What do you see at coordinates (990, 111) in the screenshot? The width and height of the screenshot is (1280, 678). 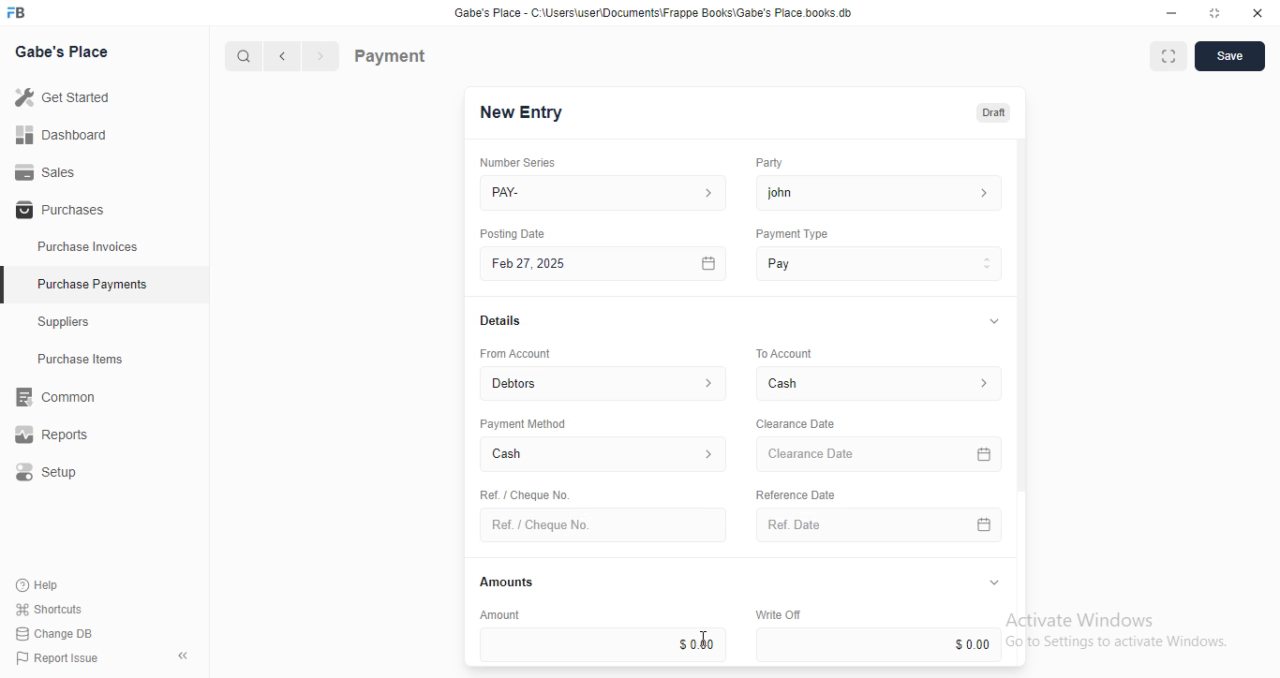 I see `Draft` at bounding box center [990, 111].